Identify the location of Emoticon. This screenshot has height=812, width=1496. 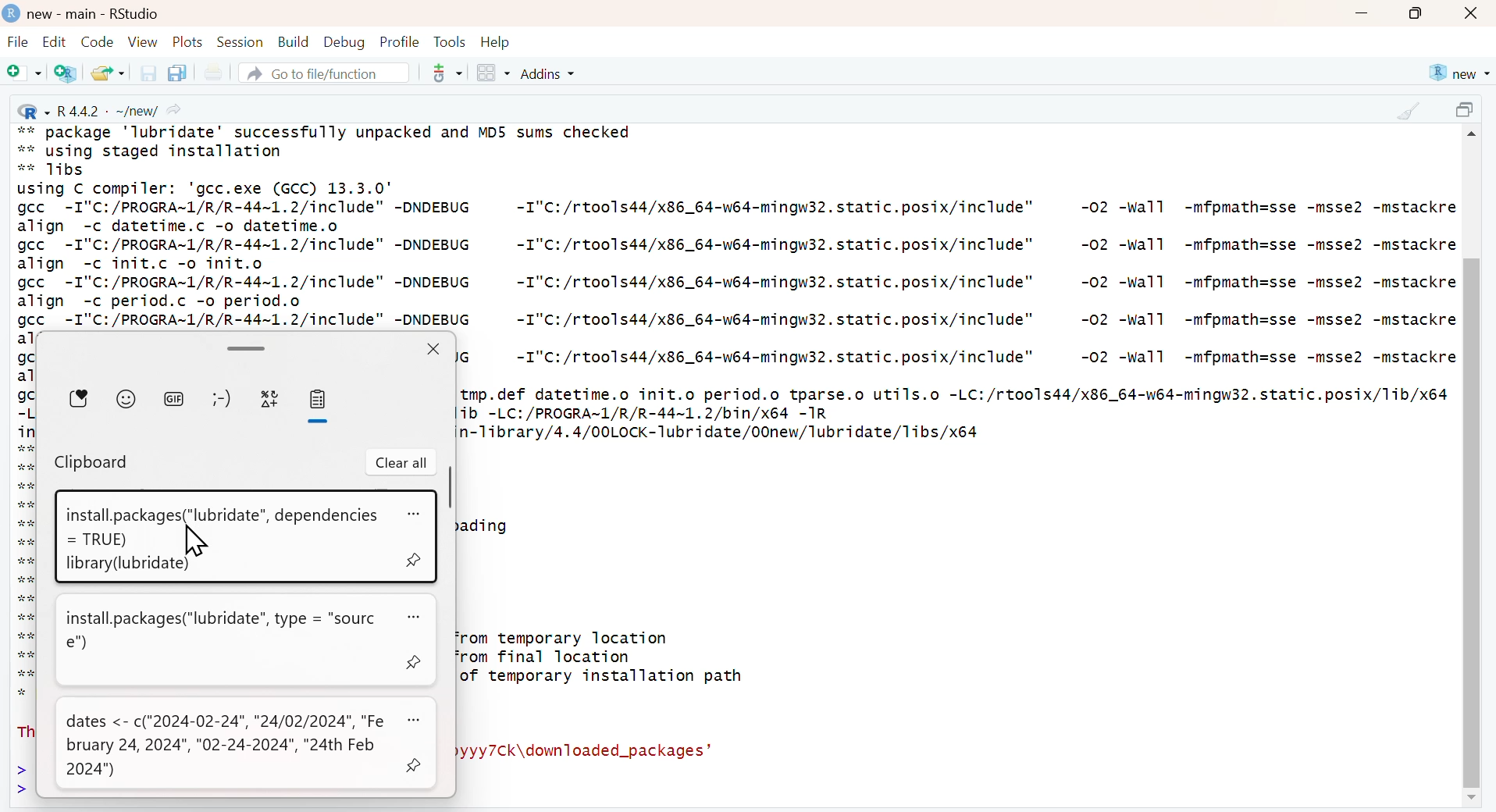
(220, 399).